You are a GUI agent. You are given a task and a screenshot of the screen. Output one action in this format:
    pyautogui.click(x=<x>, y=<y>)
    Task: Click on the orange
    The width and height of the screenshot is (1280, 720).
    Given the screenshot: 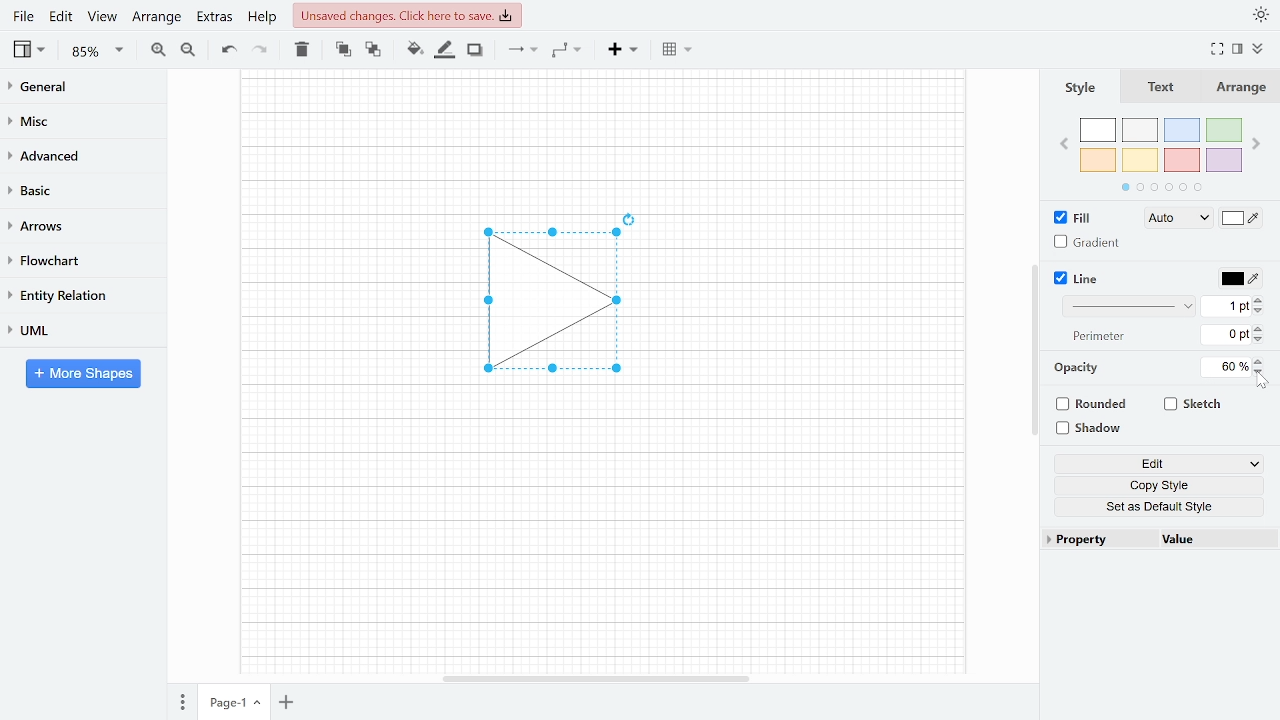 What is the action you would take?
    pyautogui.click(x=1098, y=160)
    